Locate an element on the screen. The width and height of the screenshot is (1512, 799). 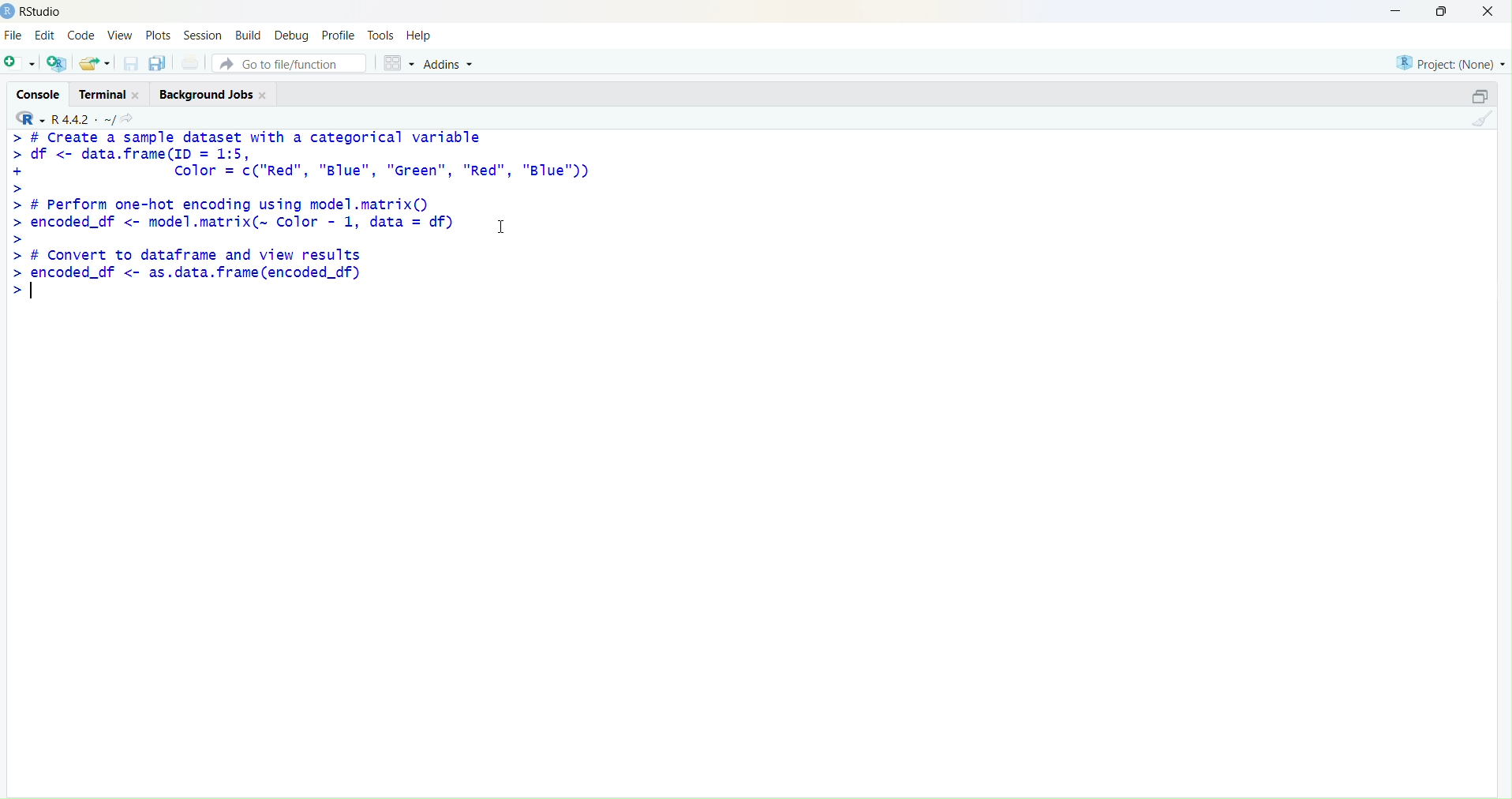
addins is located at coordinates (451, 65).